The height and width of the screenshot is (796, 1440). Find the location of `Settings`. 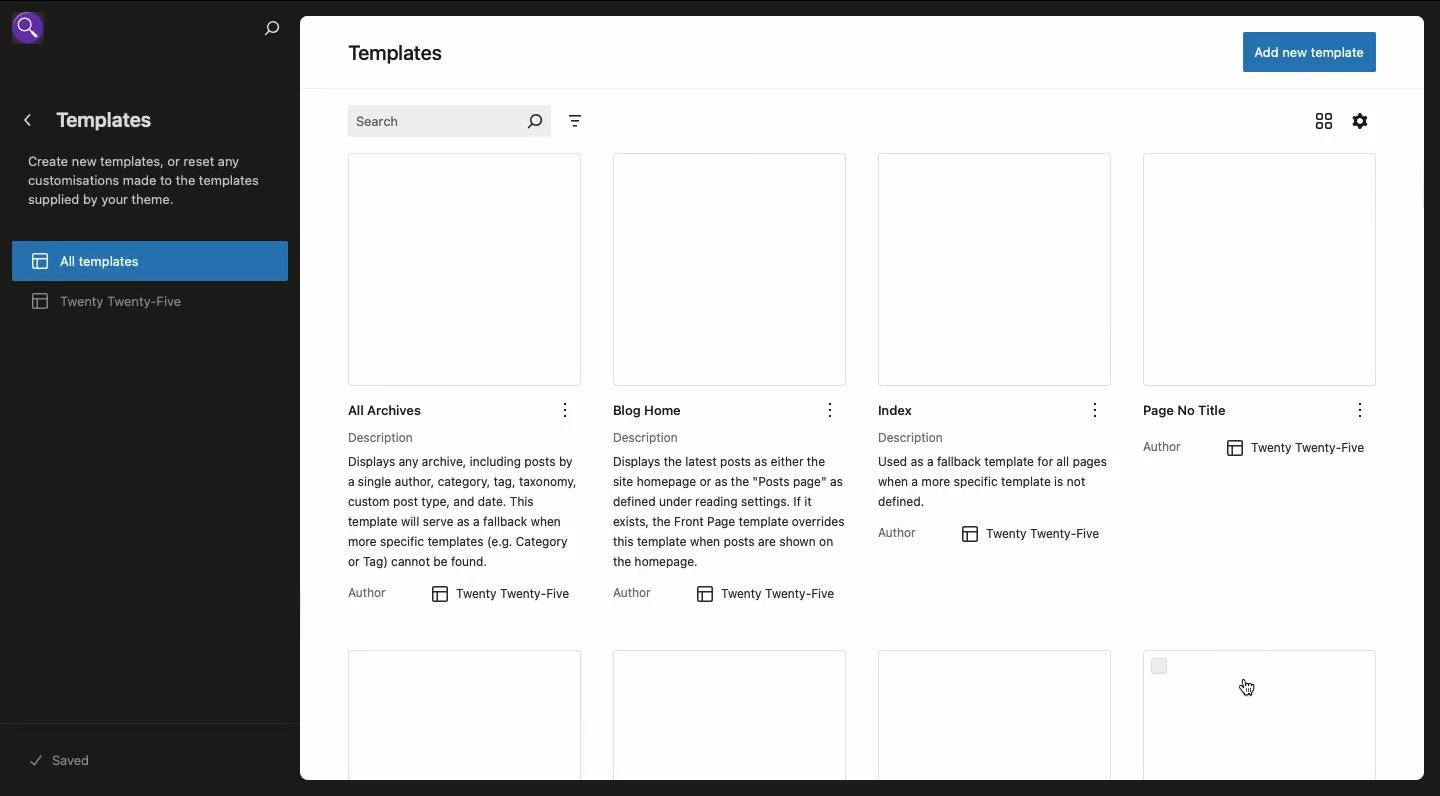

Settings is located at coordinates (1362, 121).